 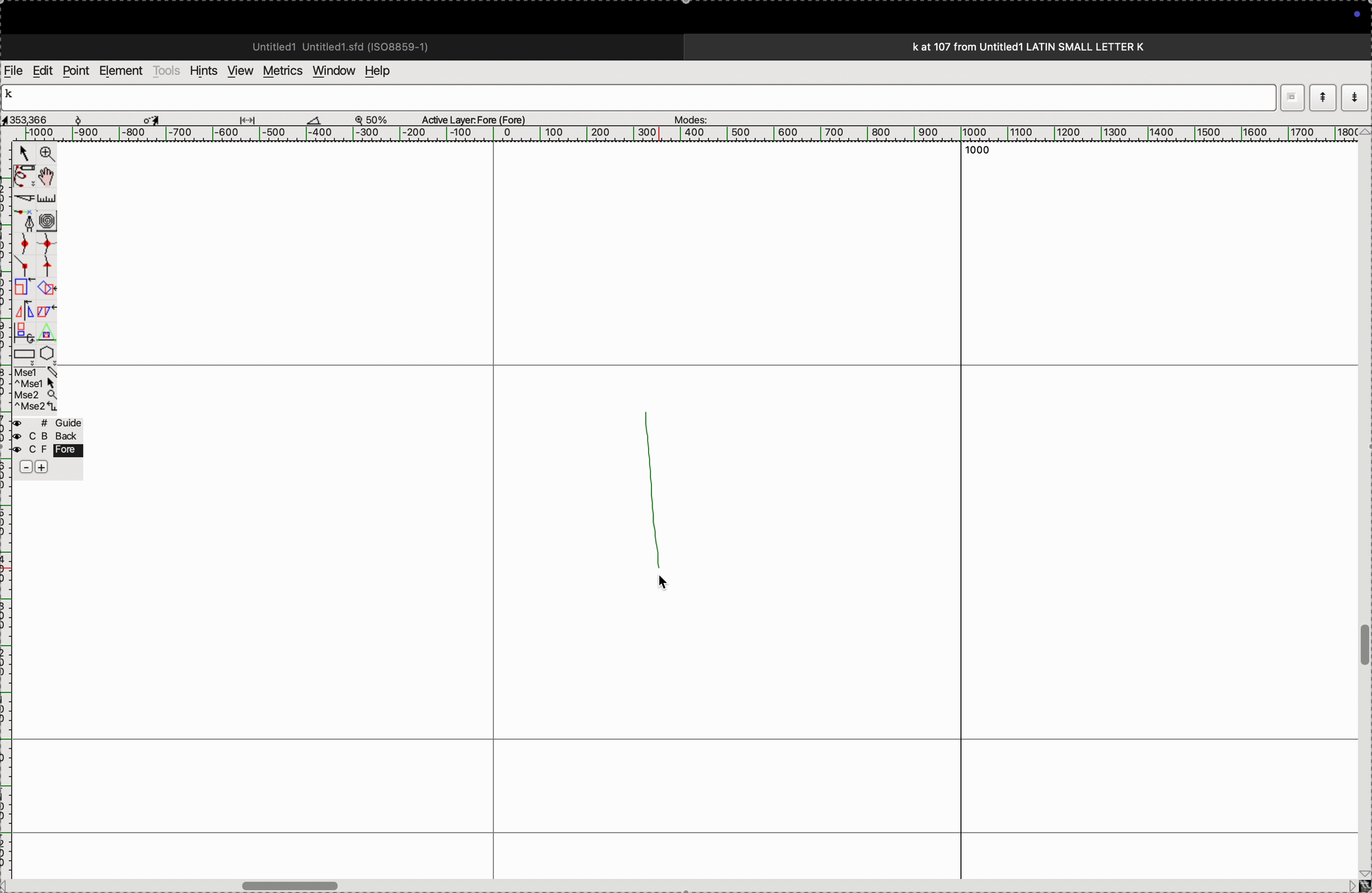 I want to click on metrics, so click(x=281, y=71).